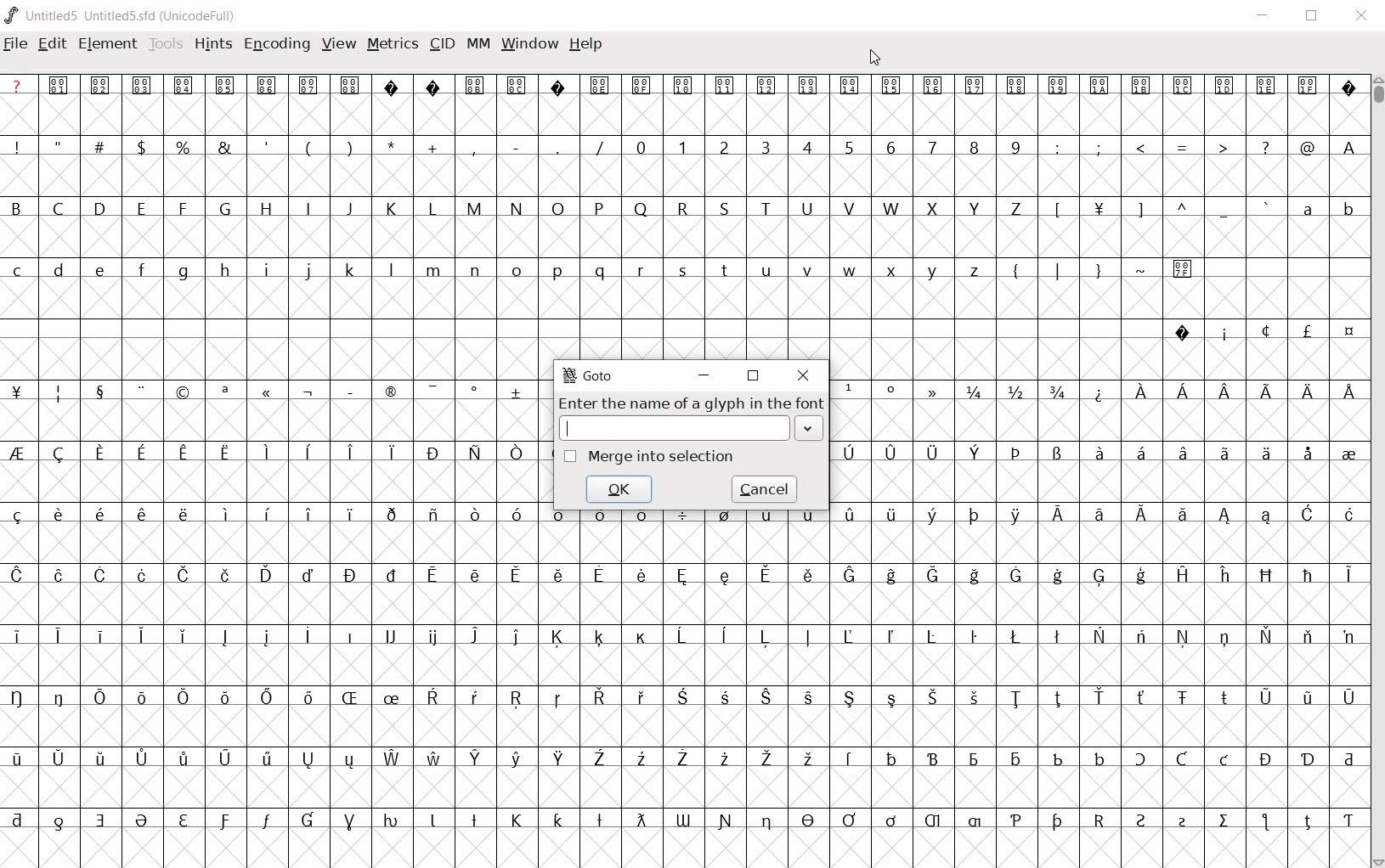  I want to click on >, so click(1224, 148).